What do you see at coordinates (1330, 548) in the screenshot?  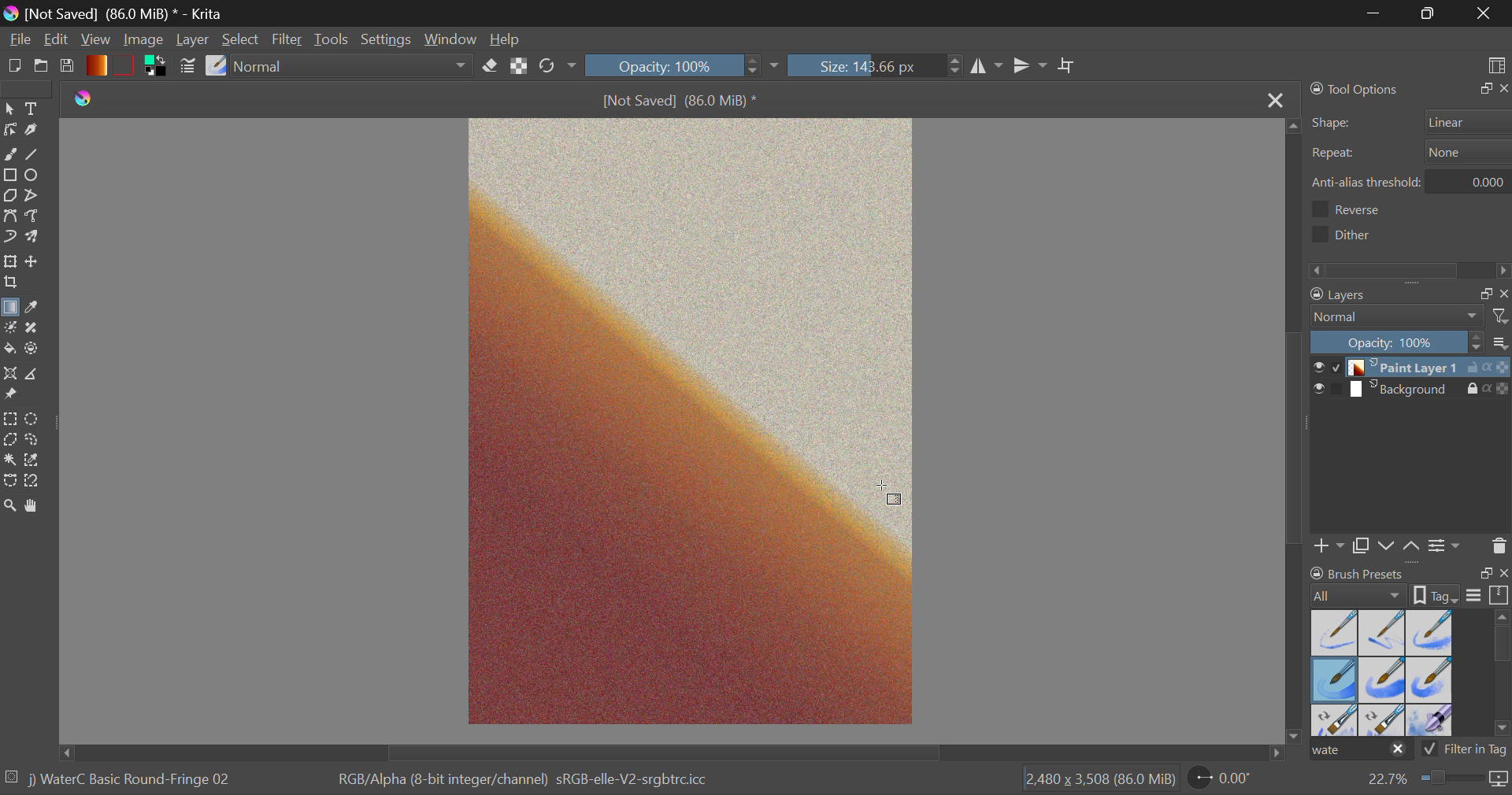 I see `add` at bounding box center [1330, 548].